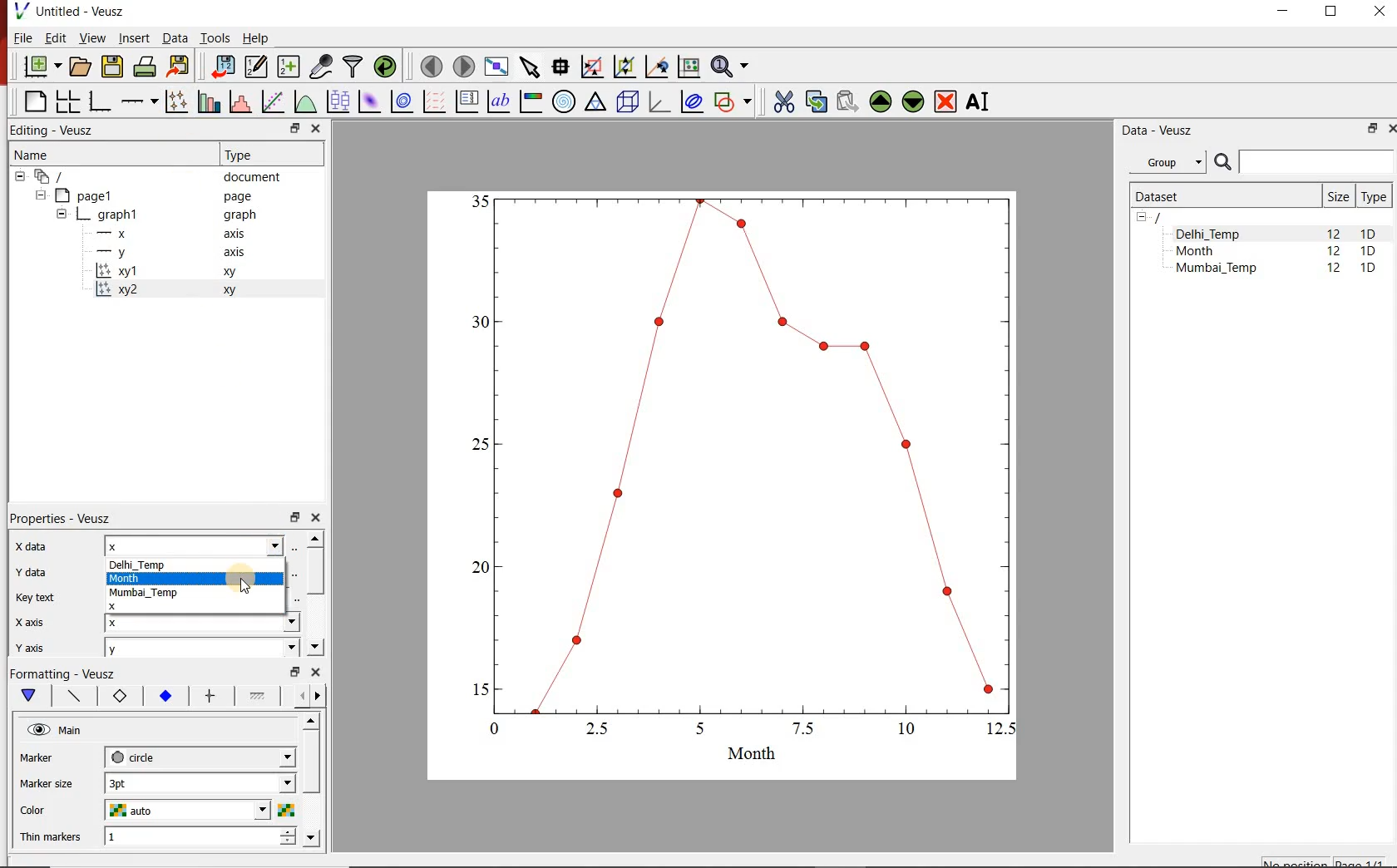  I want to click on capture remote data, so click(322, 67).